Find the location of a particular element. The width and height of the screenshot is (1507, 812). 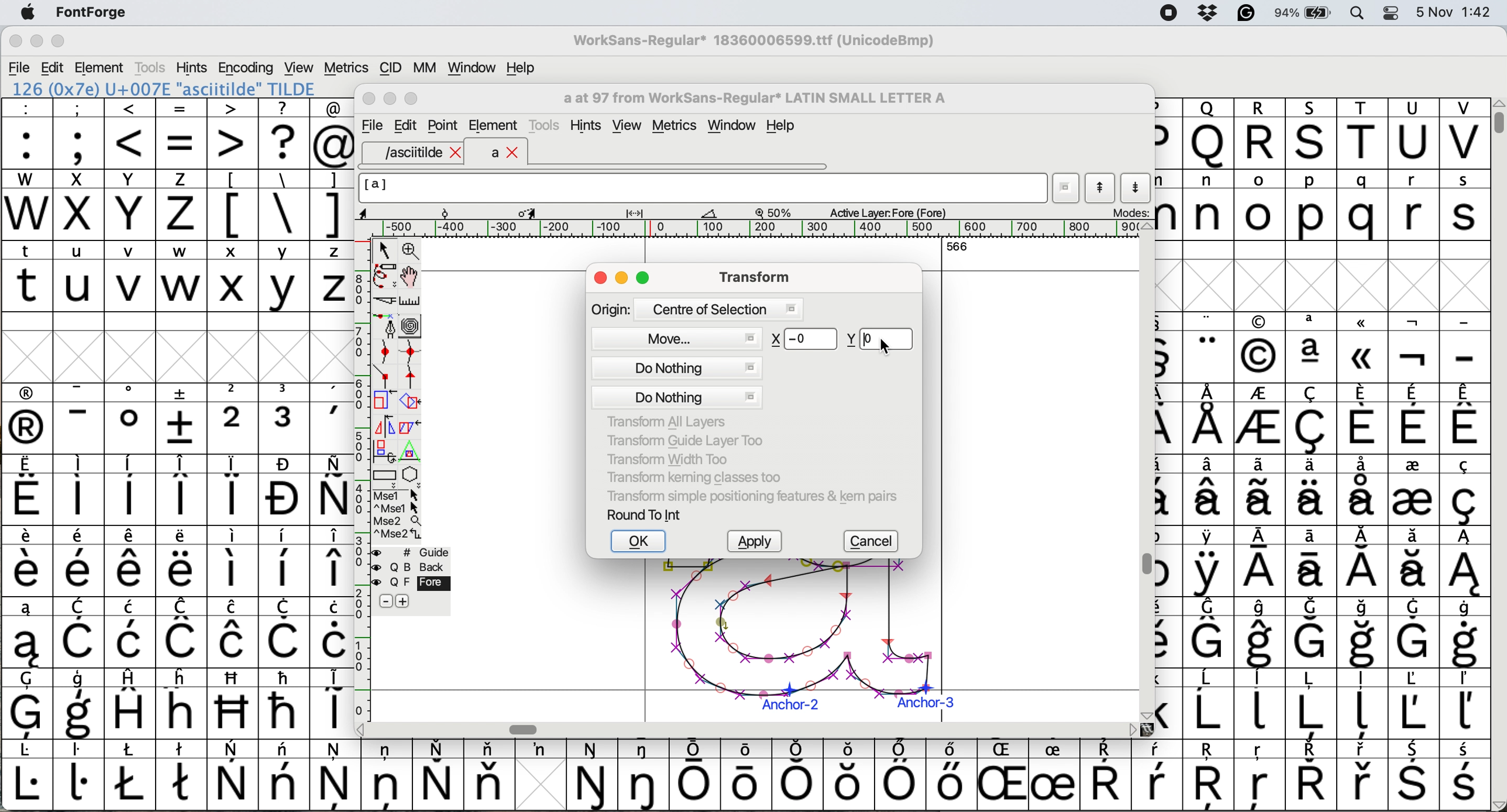

symbol is located at coordinates (133, 703).